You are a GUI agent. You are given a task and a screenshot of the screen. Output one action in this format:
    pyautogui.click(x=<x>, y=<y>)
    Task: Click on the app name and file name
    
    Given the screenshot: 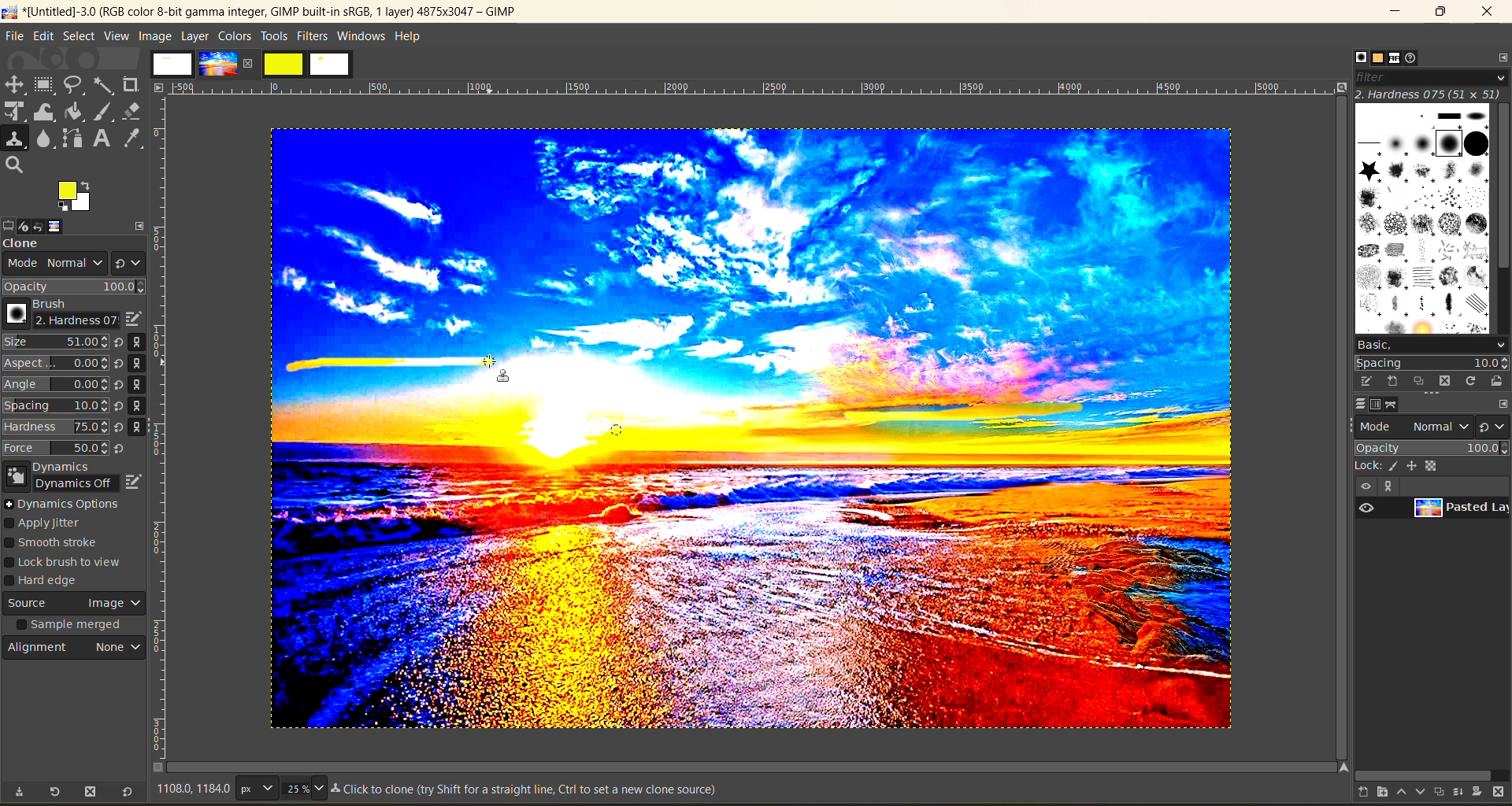 What is the action you would take?
    pyautogui.click(x=261, y=11)
    